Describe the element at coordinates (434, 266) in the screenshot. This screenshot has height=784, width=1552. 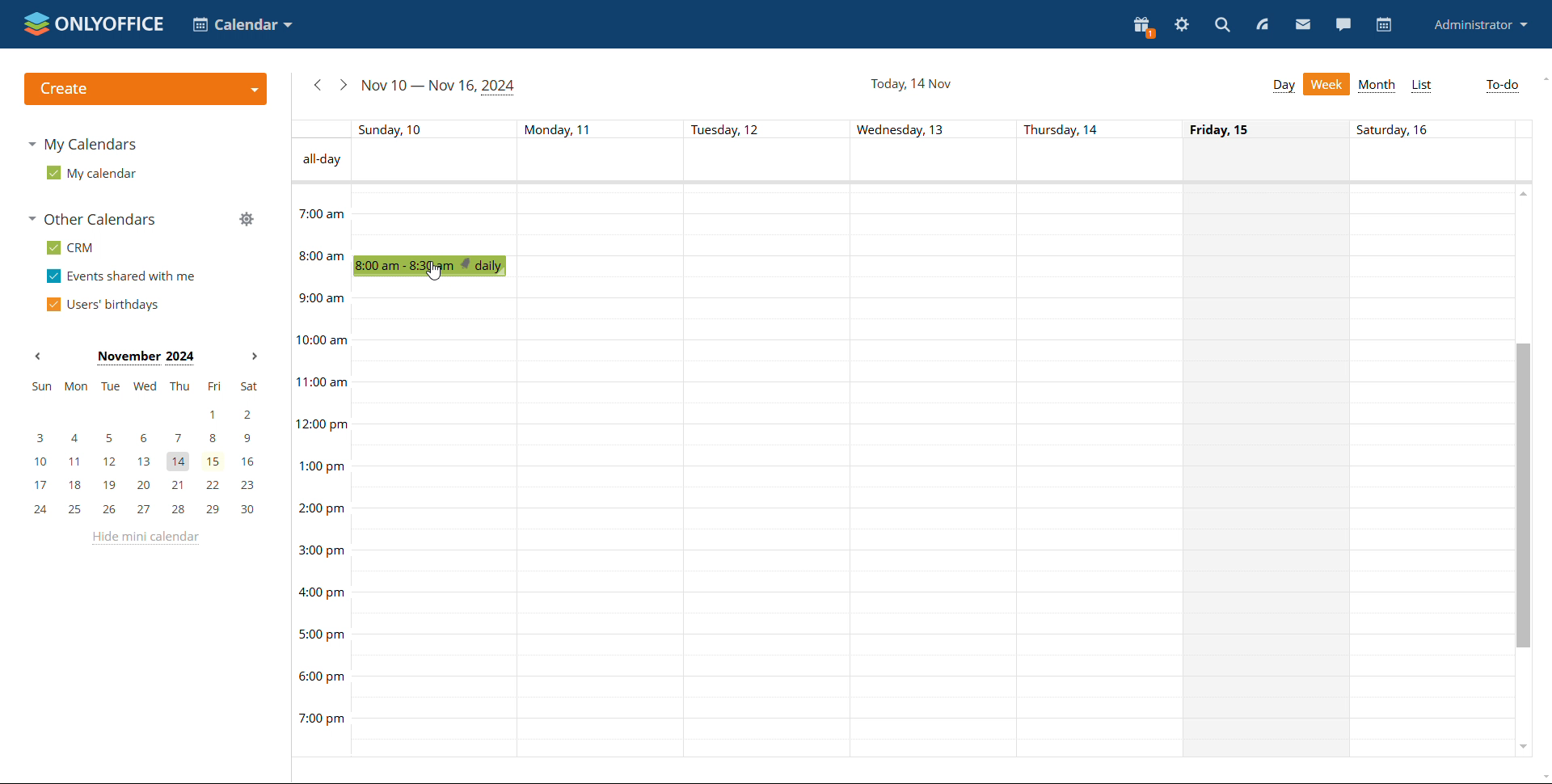
I see `scheduled  event` at that location.